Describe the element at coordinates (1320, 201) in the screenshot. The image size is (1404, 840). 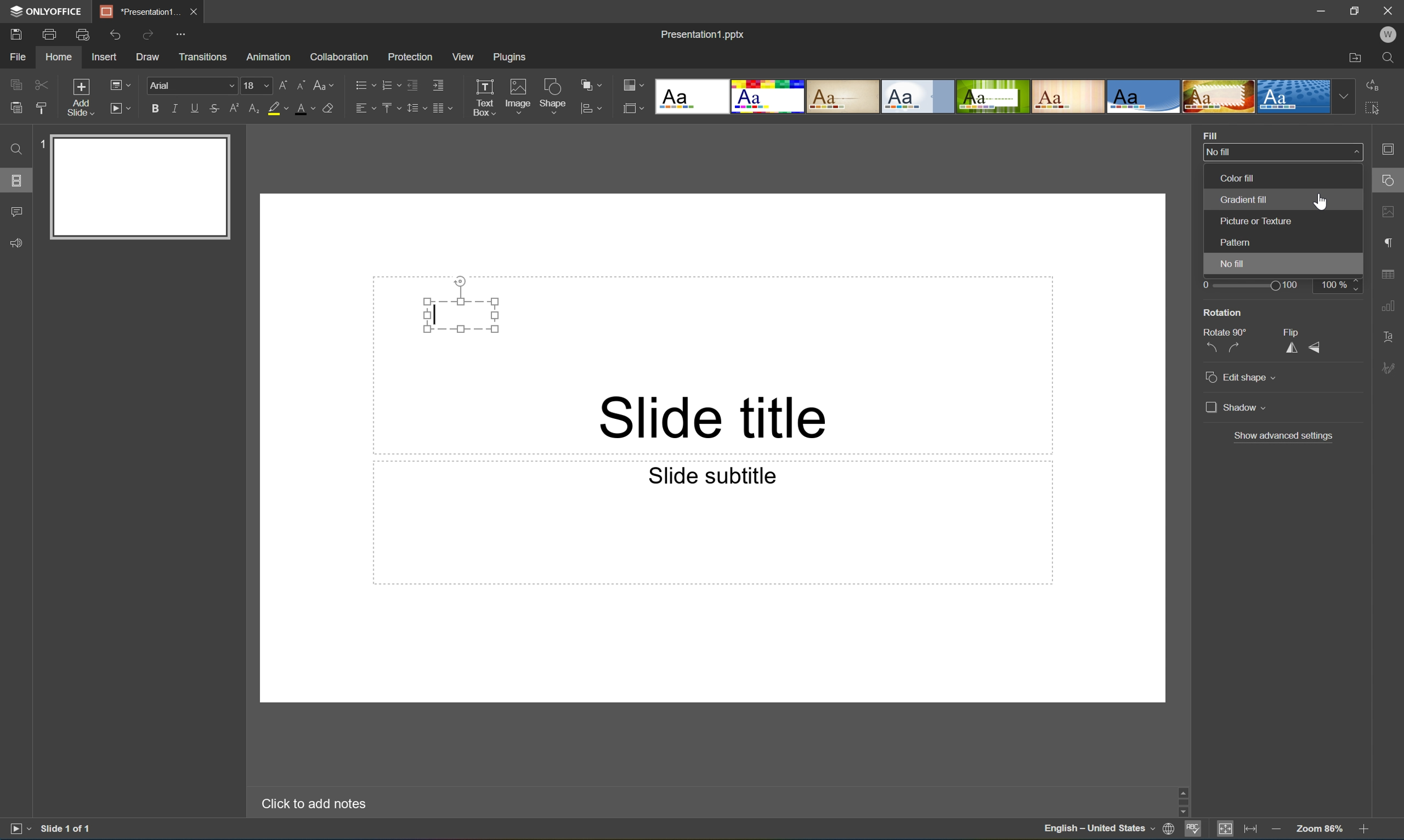
I see `Cursor` at that location.